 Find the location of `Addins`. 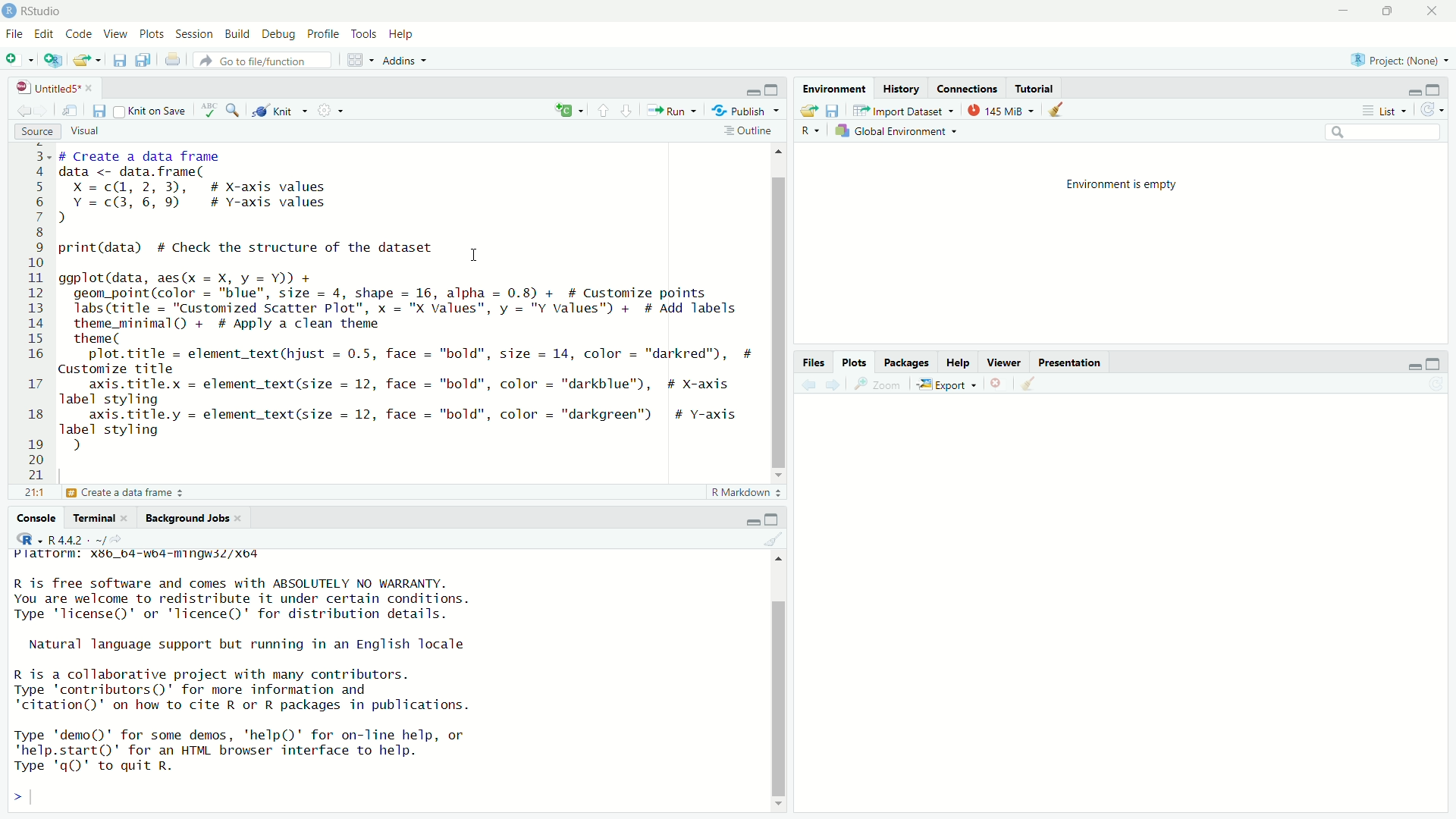

Addins is located at coordinates (406, 60).